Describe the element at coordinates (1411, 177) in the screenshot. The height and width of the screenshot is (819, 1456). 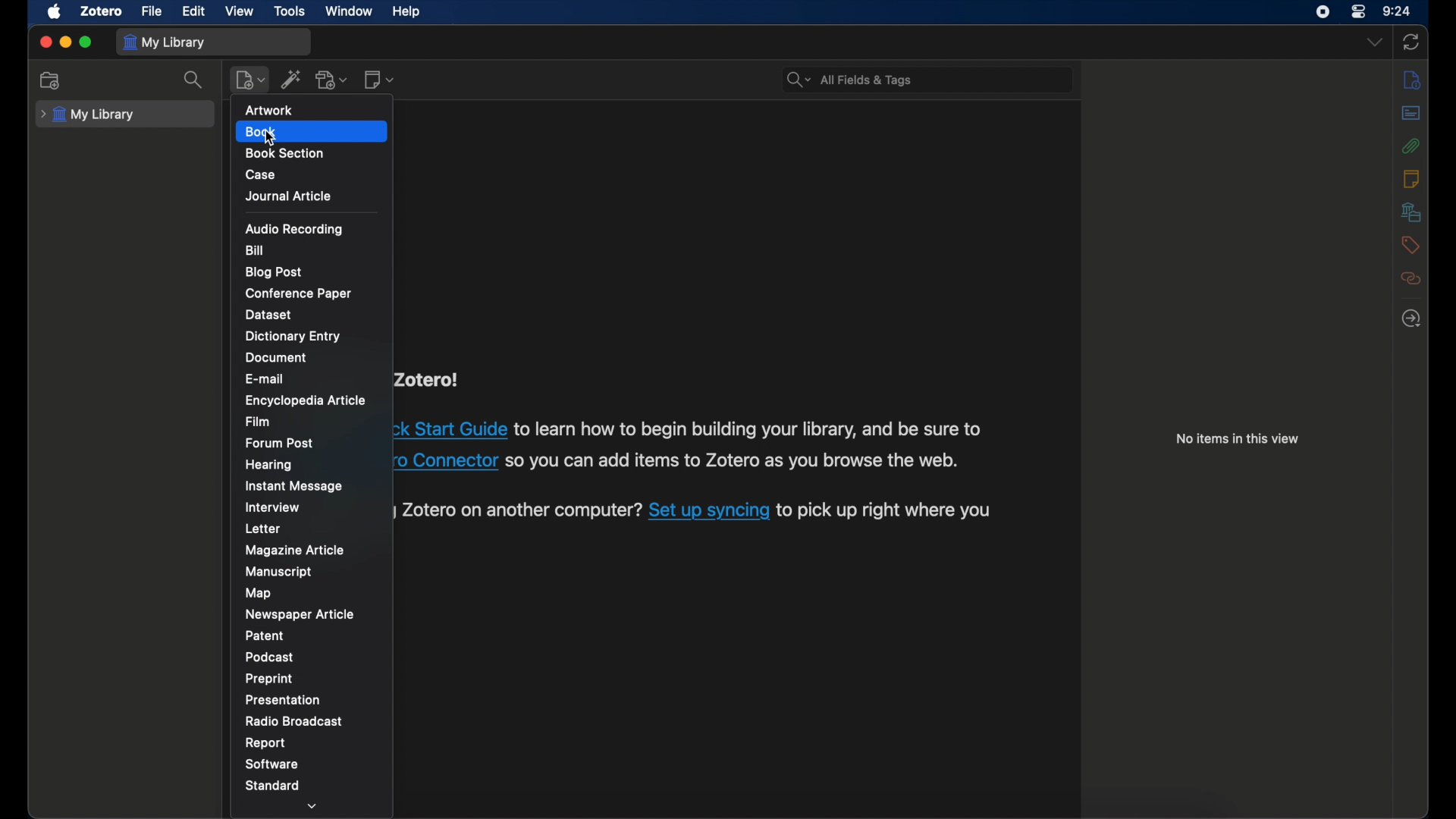
I see `notes` at that location.